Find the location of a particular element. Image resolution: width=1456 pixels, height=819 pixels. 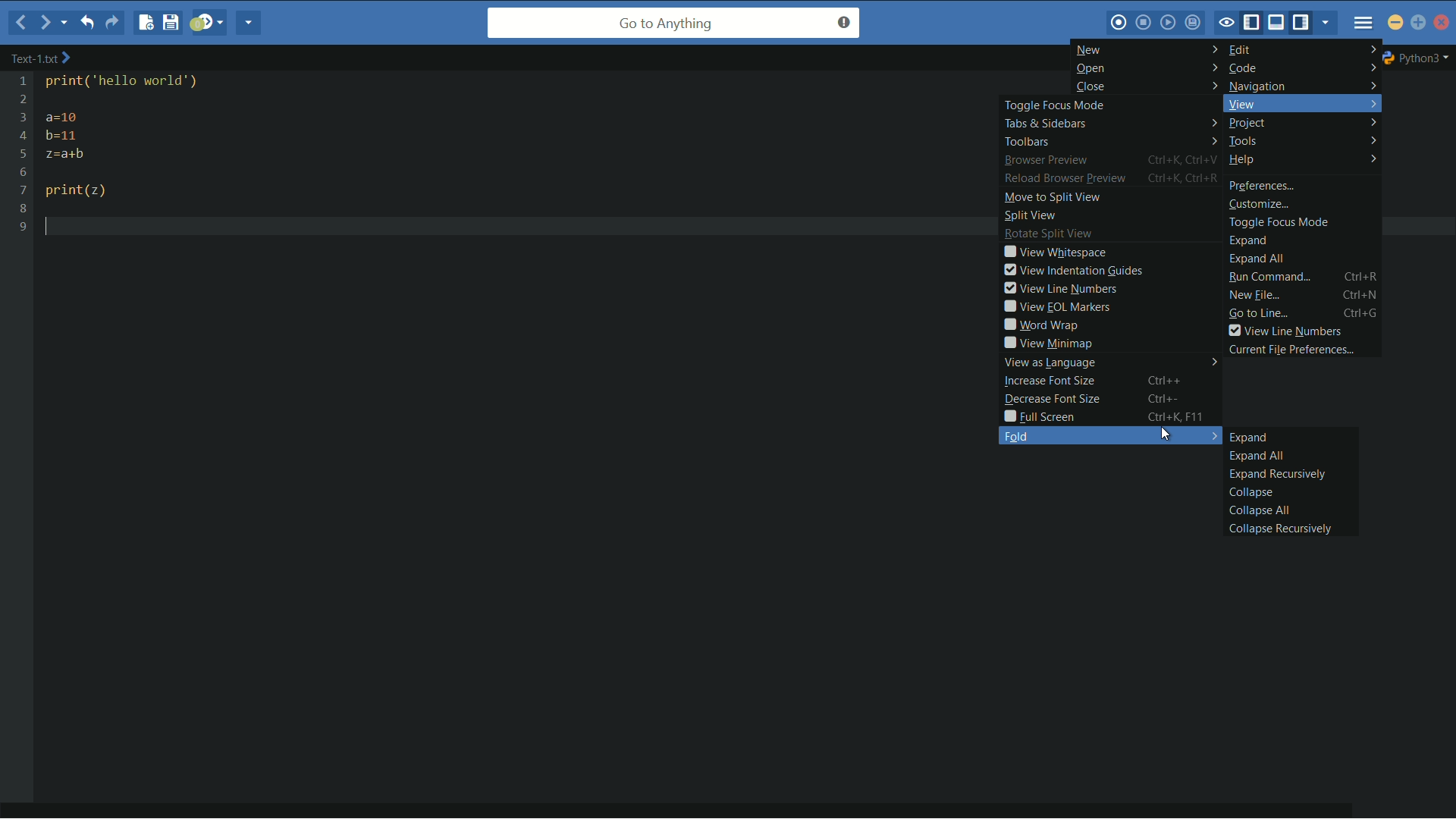

preferences is located at coordinates (1262, 185).